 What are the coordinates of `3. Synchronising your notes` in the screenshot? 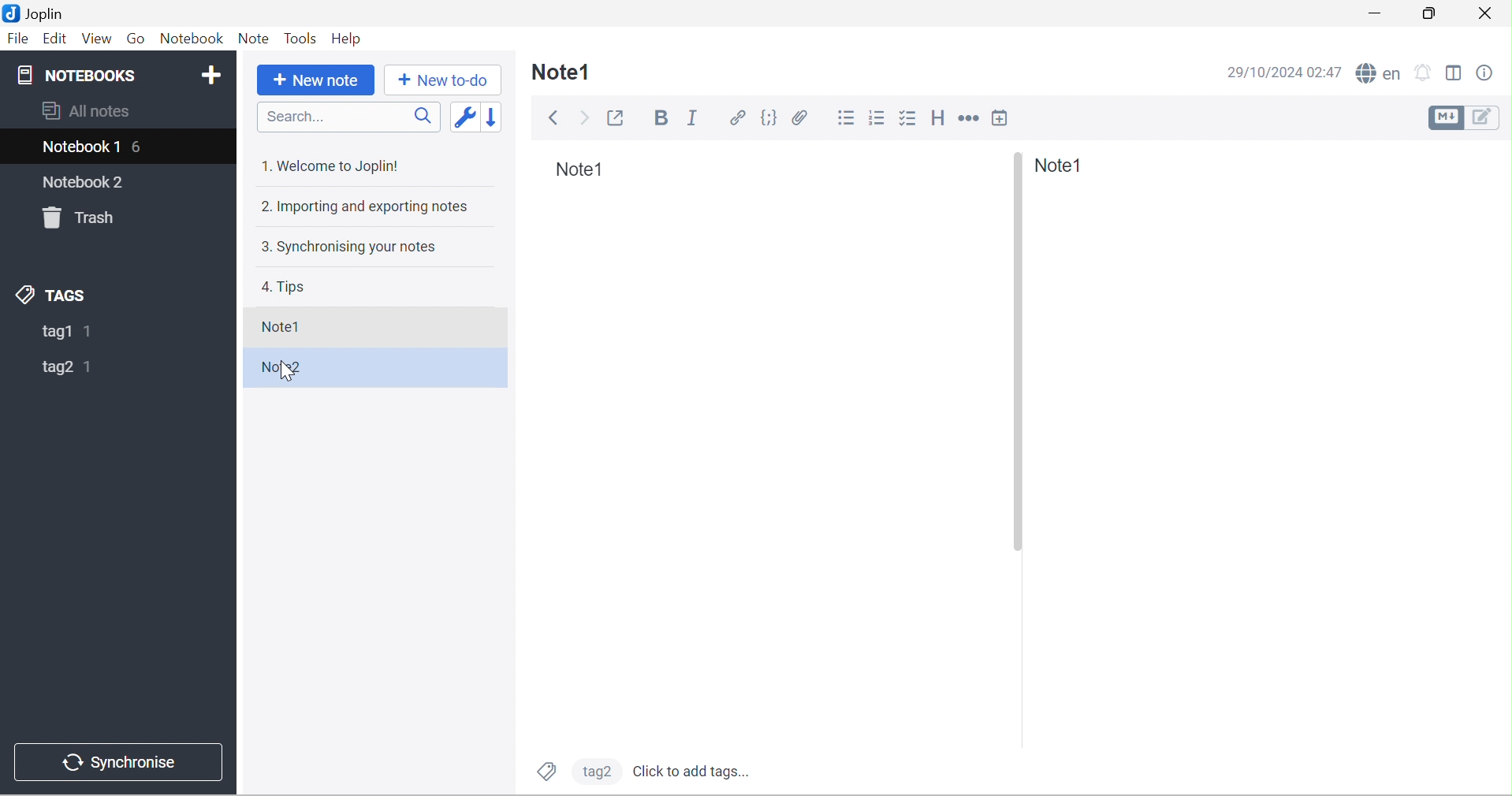 It's located at (348, 251).